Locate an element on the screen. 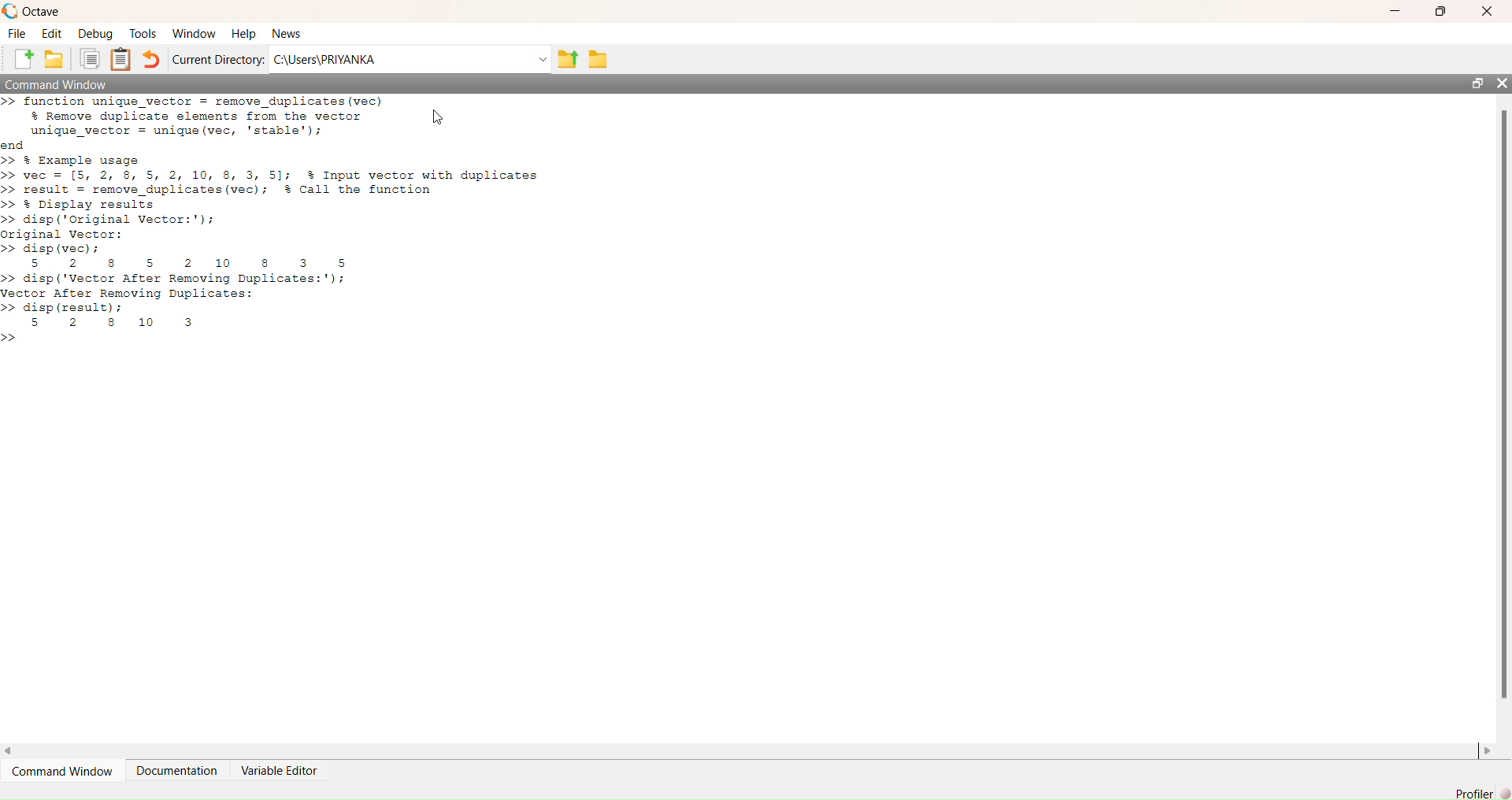 The image size is (1512, 800). window is located at coordinates (196, 35).